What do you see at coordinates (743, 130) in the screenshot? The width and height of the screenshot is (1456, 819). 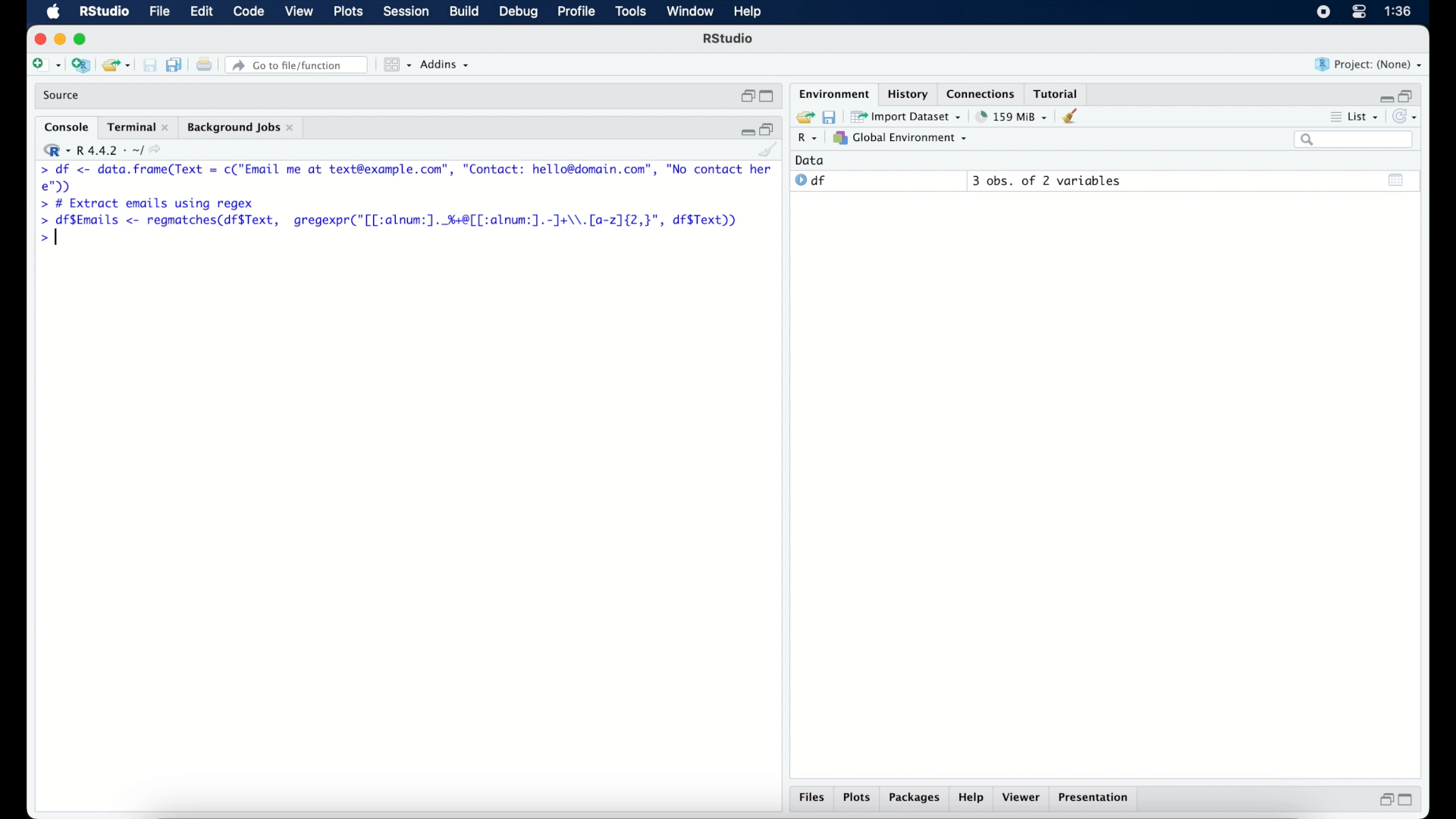 I see `minimize` at bounding box center [743, 130].